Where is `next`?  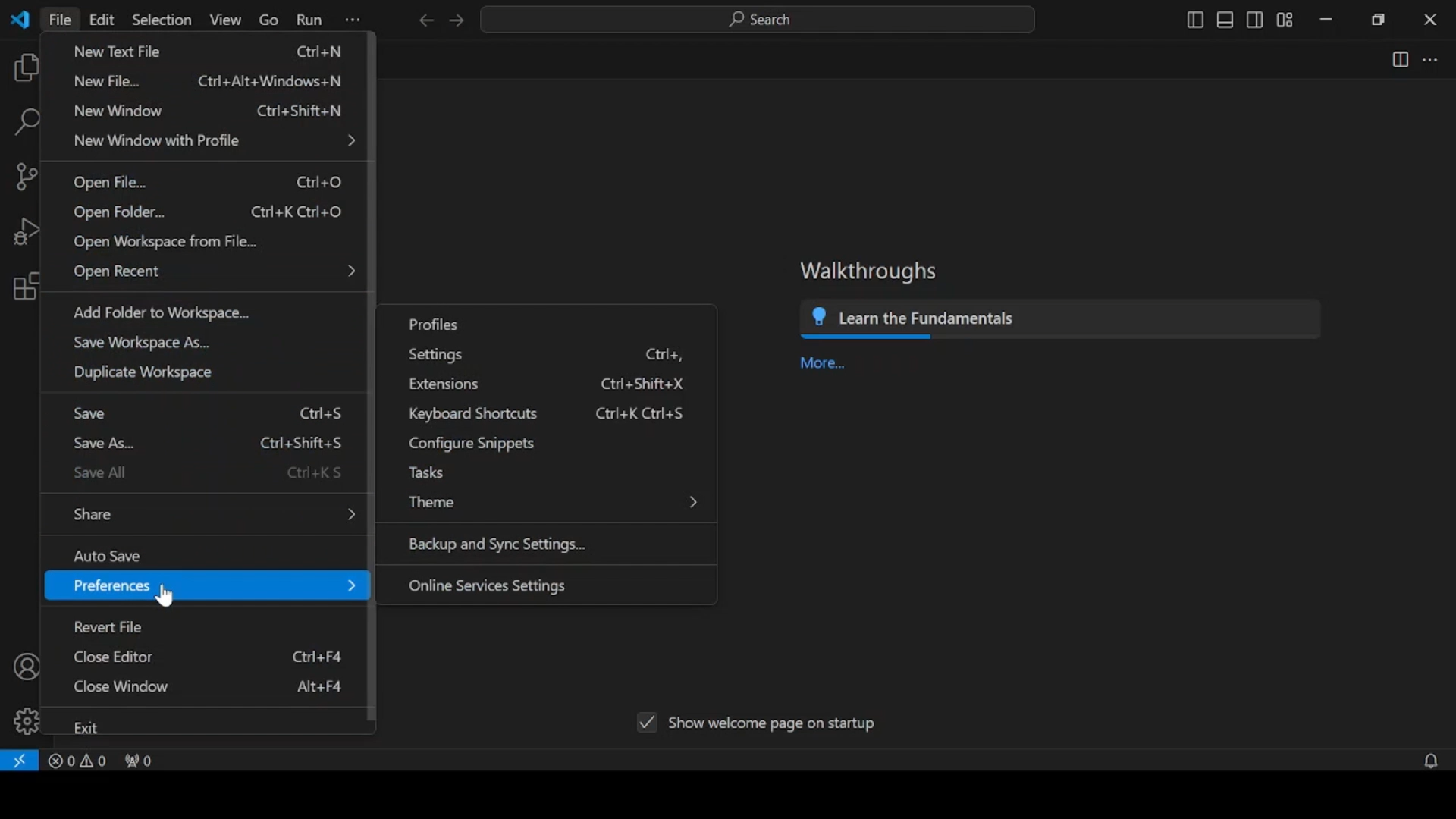
next is located at coordinates (457, 20).